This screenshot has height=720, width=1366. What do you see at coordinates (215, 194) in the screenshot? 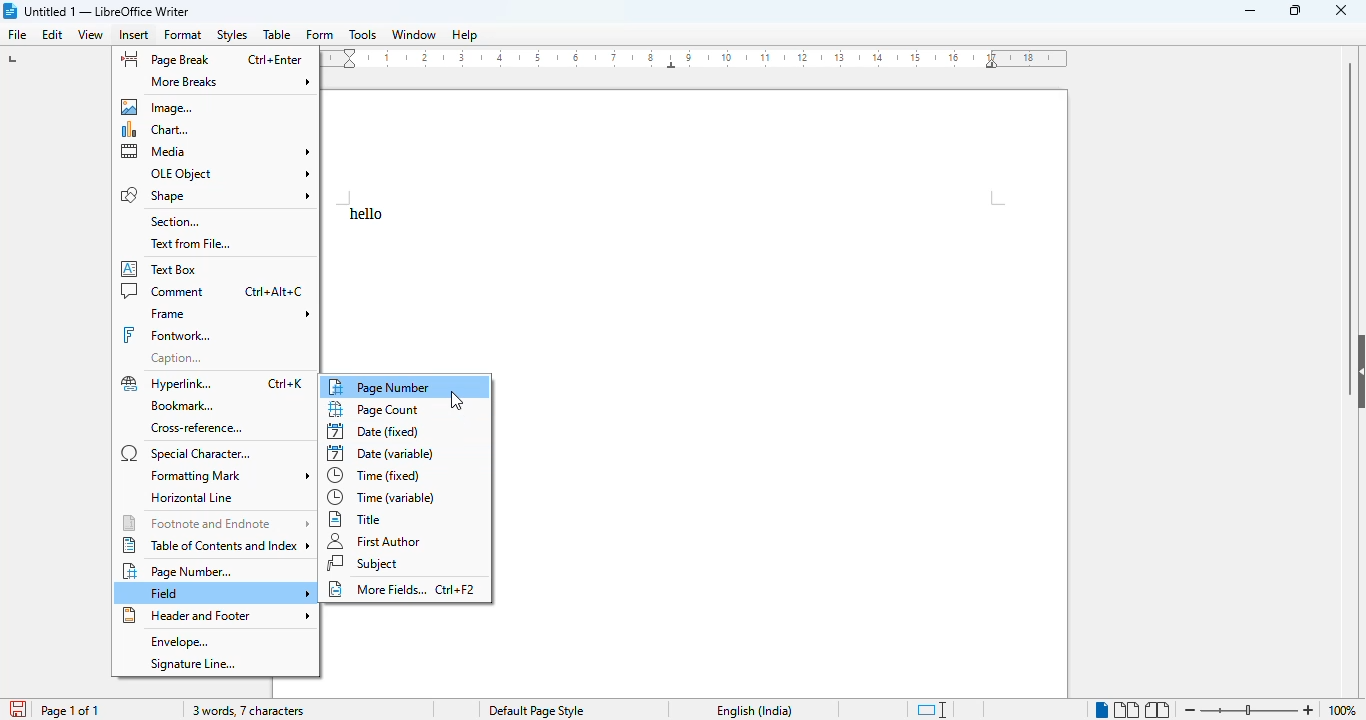
I see `shape` at bounding box center [215, 194].